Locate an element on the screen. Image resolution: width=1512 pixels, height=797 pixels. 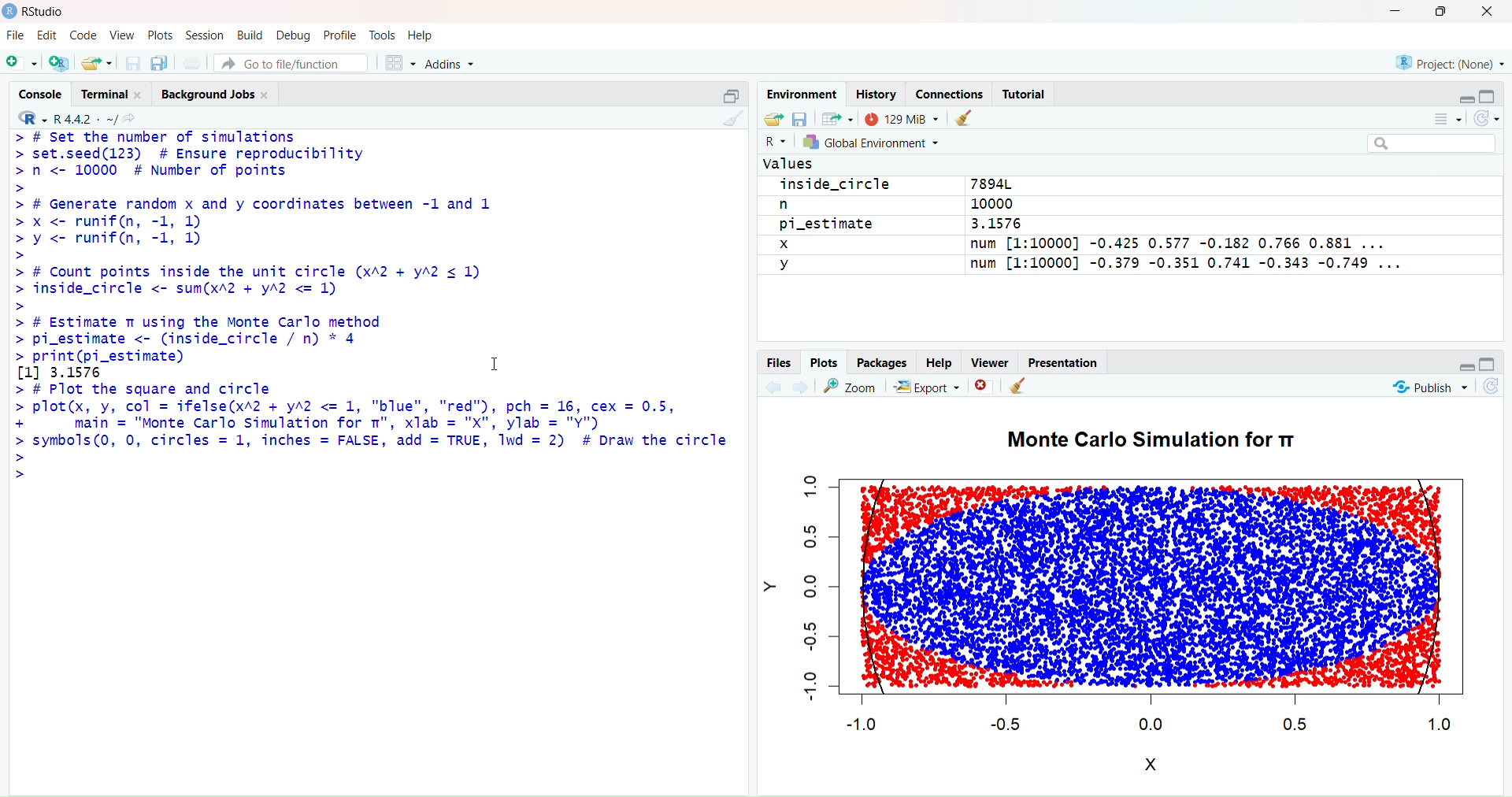
Profile is located at coordinates (343, 33).